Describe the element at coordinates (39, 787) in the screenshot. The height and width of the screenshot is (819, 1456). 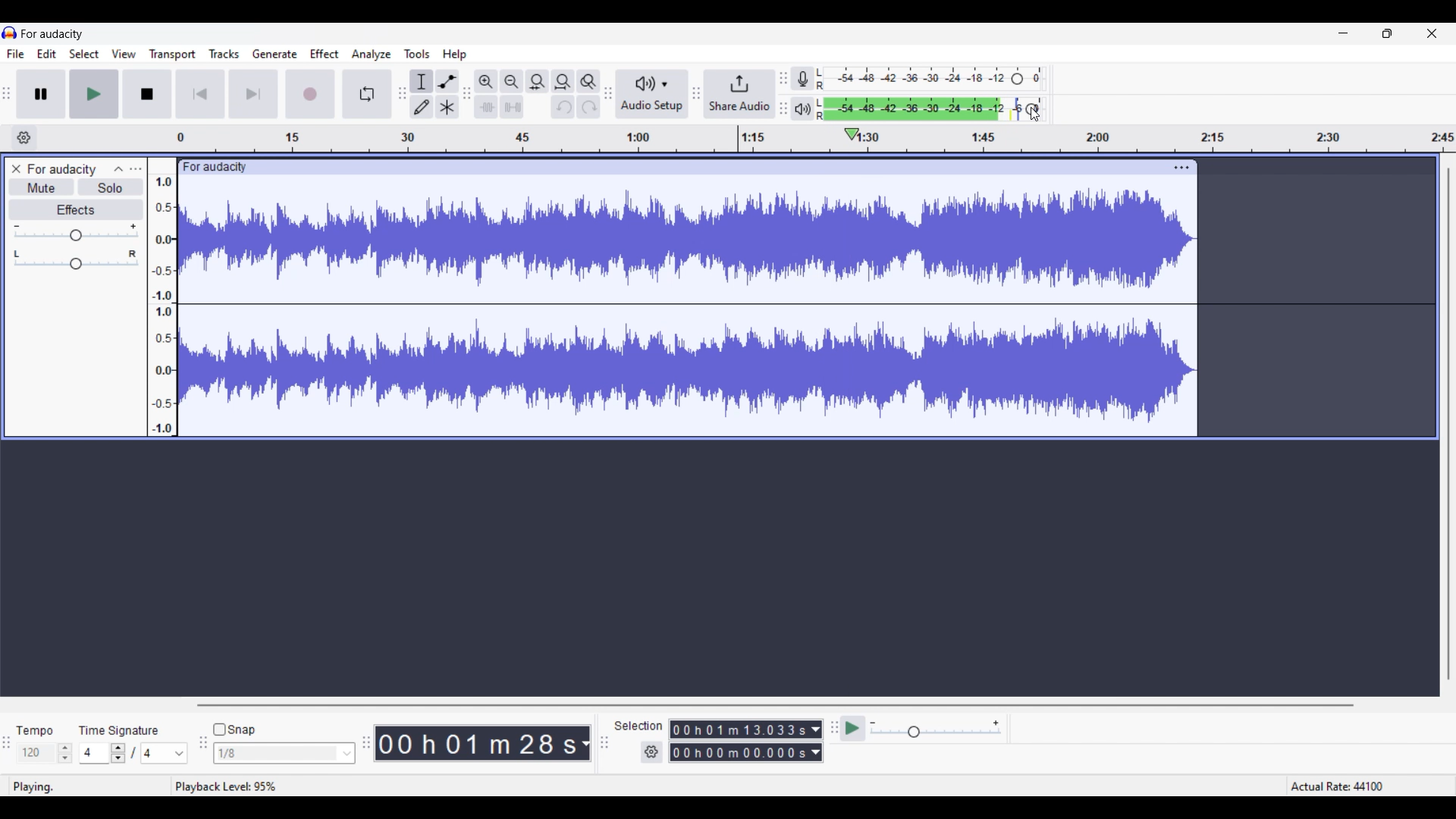
I see `playing.` at that location.